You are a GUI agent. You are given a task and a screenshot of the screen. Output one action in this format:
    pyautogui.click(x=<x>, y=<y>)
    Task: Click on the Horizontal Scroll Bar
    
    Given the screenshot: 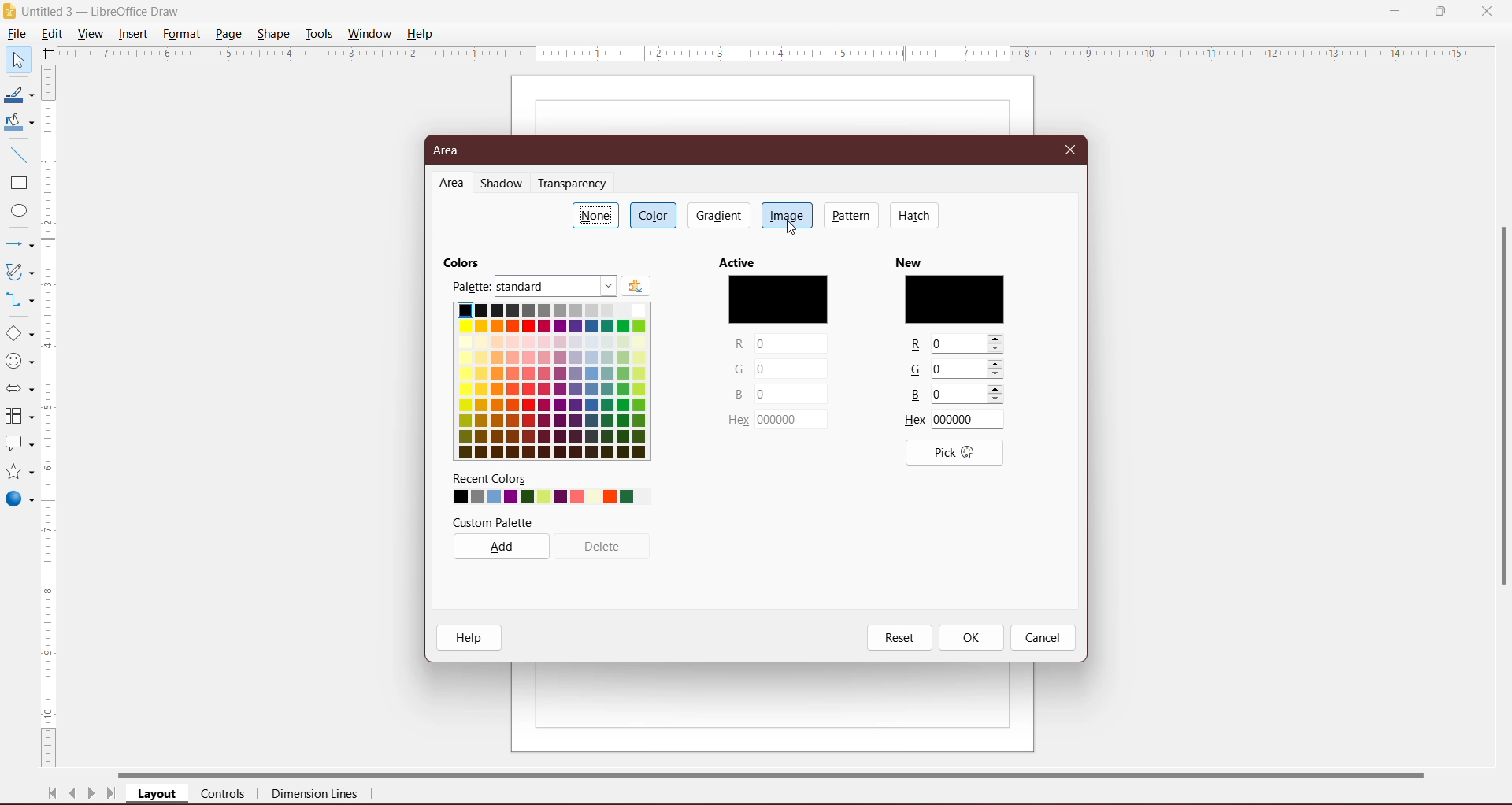 What is the action you would take?
    pyautogui.click(x=788, y=773)
    